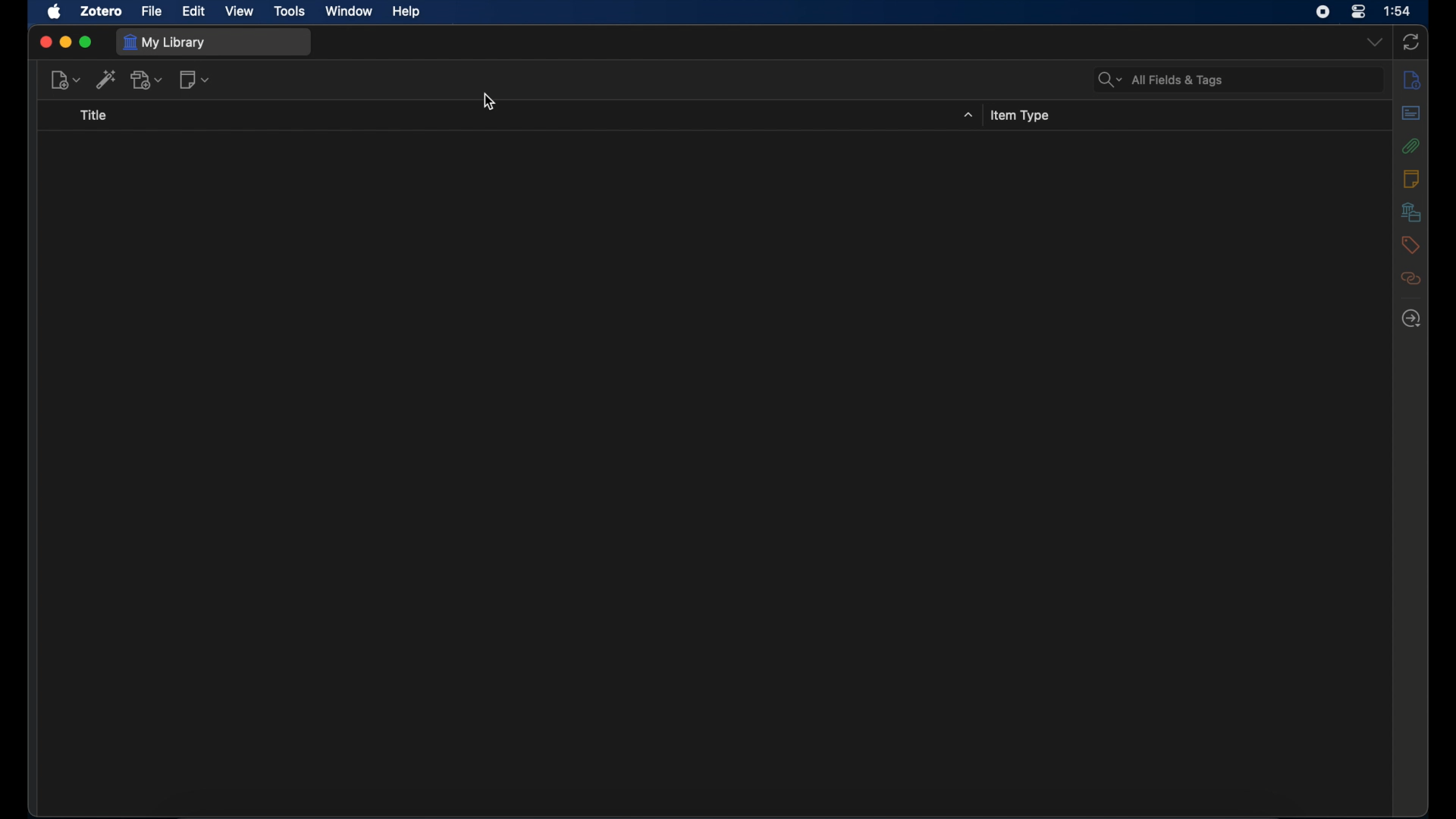  Describe the element at coordinates (1412, 114) in the screenshot. I see `abstract` at that location.